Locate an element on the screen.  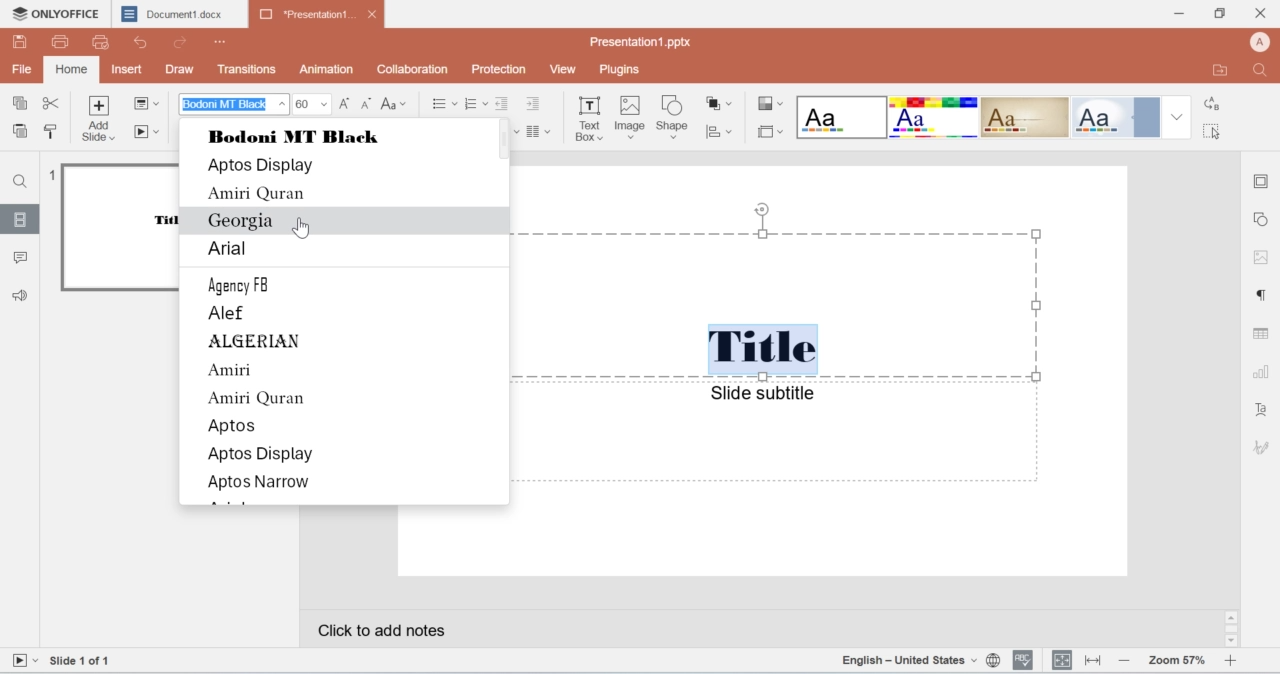
cut is located at coordinates (52, 105).